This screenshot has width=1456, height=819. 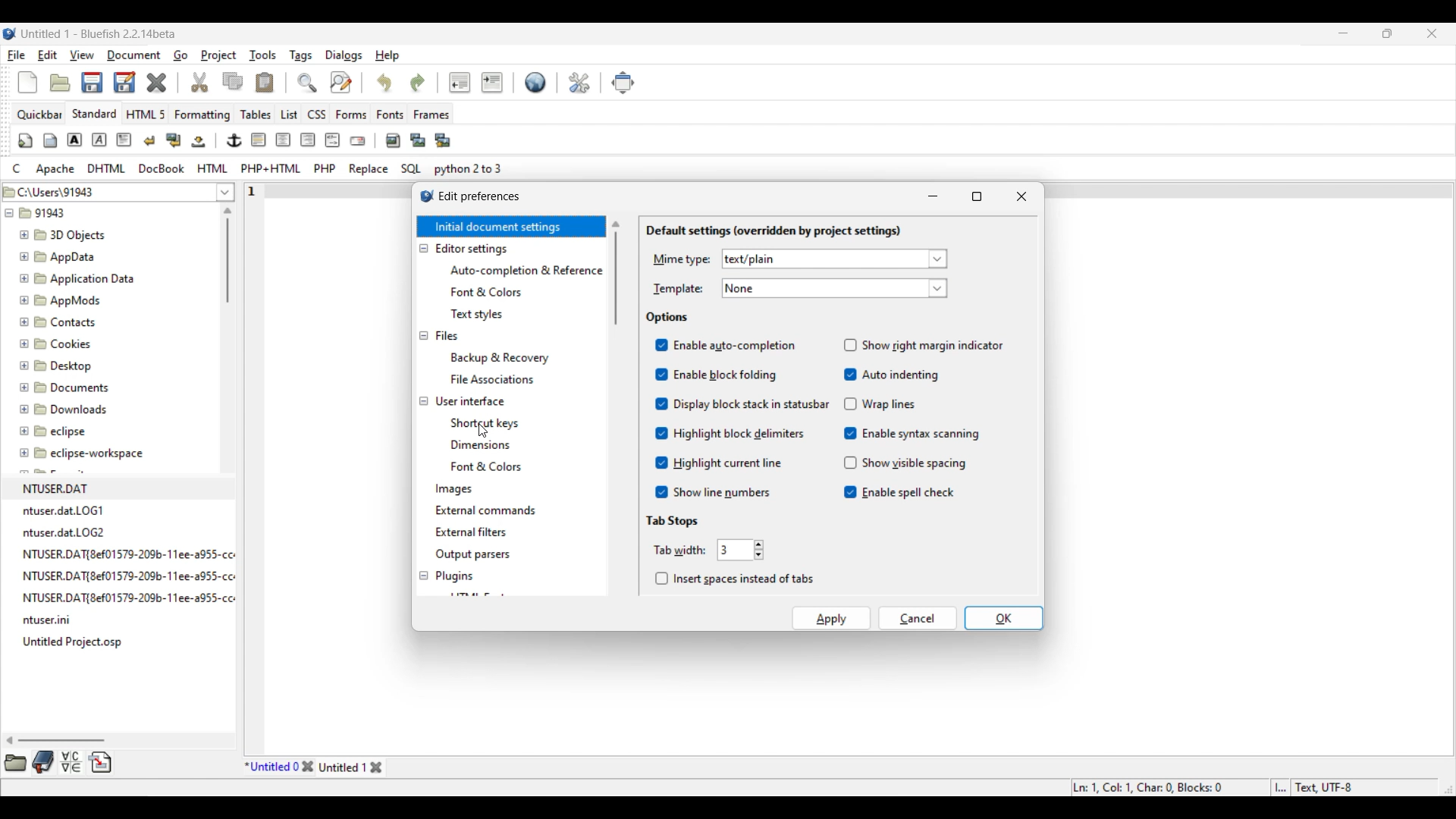 I want to click on Files settings, so click(x=447, y=336).